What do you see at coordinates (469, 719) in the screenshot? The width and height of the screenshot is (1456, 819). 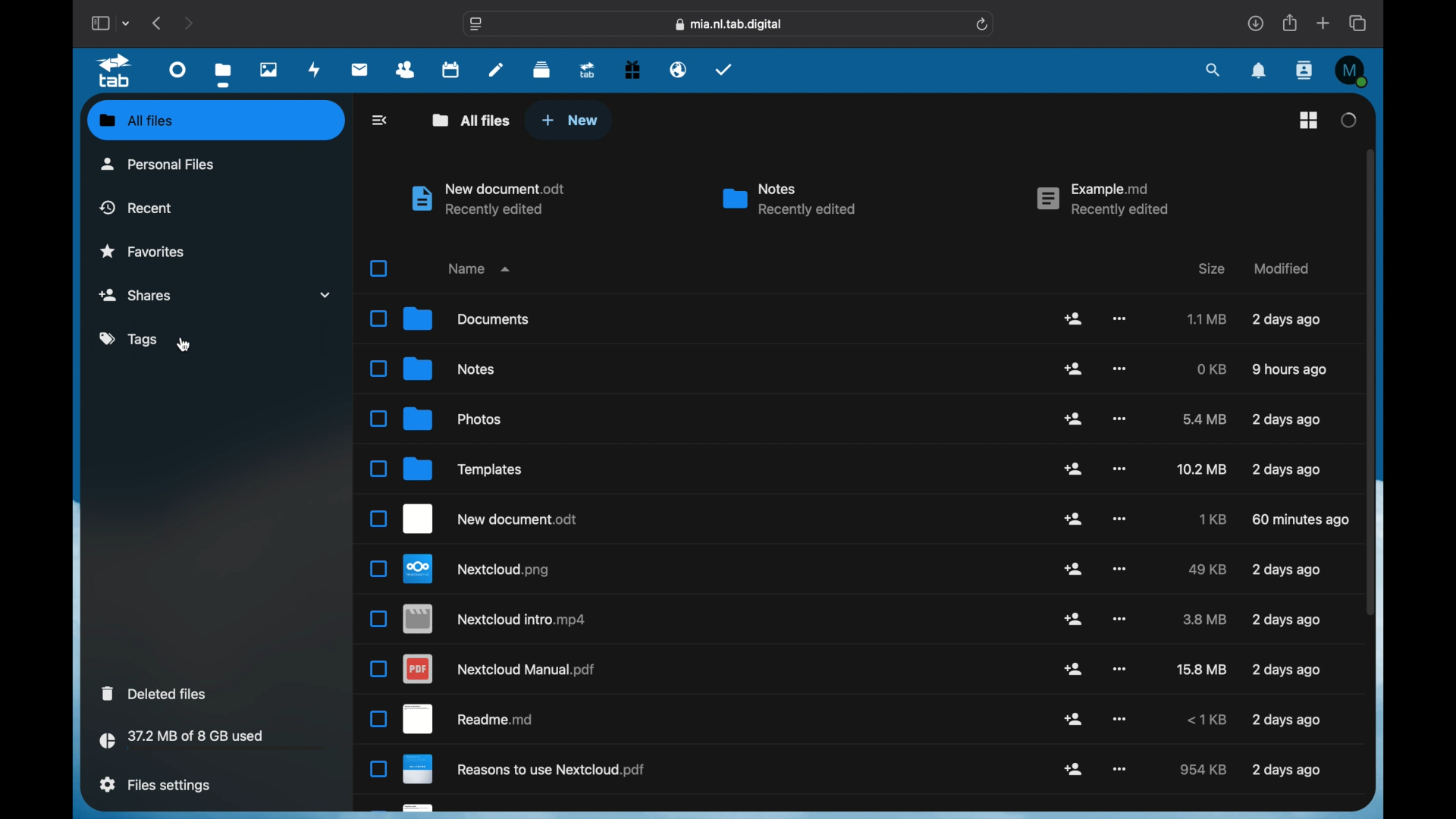 I see `doc` at bounding box center [469, 719].